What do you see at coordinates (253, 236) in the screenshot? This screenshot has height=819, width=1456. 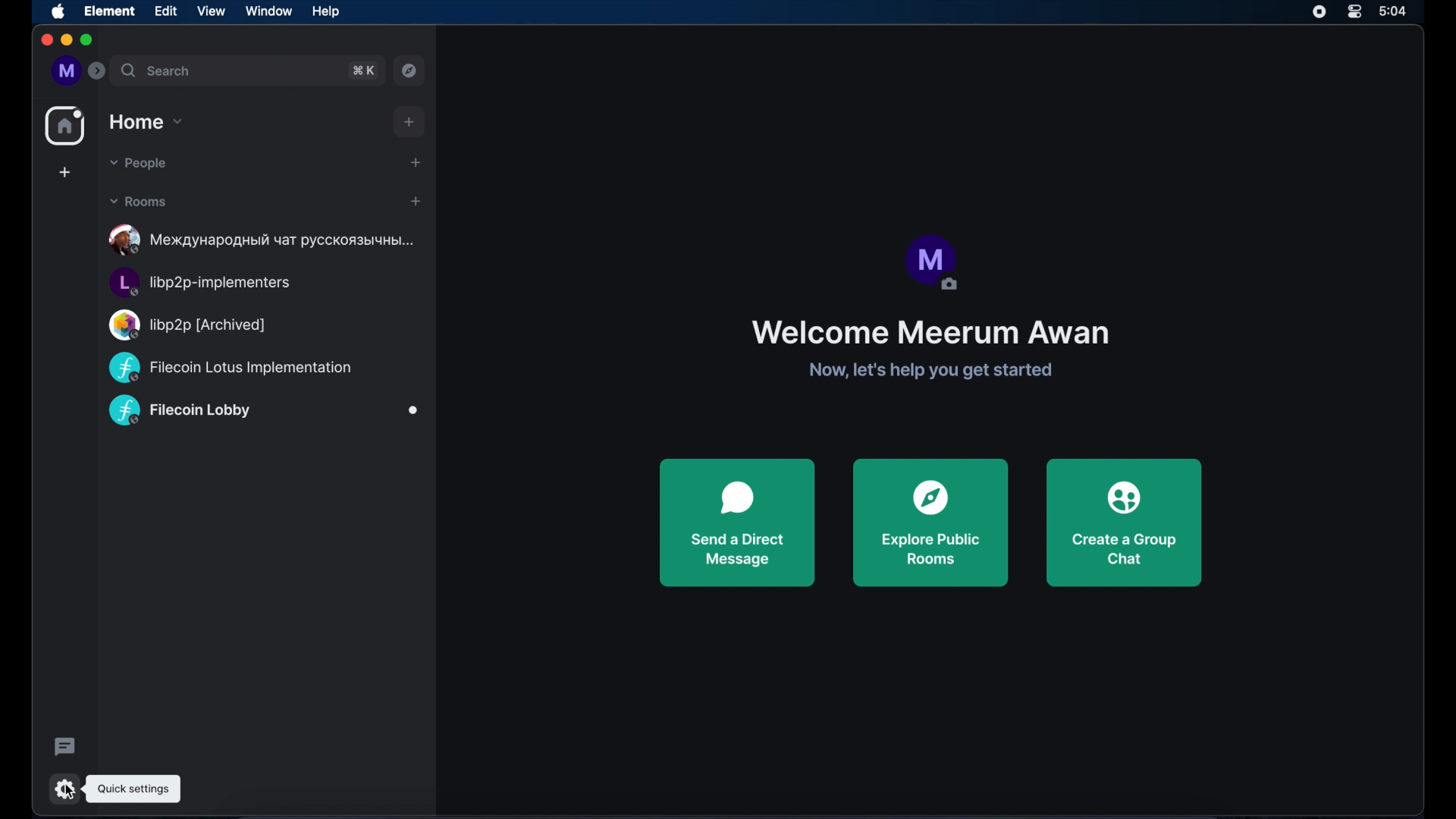 I see `(6) Me>XAyHapOoAHblil YaT PyCCKOA3bIYHBL...` at bounding box center [253, 236].